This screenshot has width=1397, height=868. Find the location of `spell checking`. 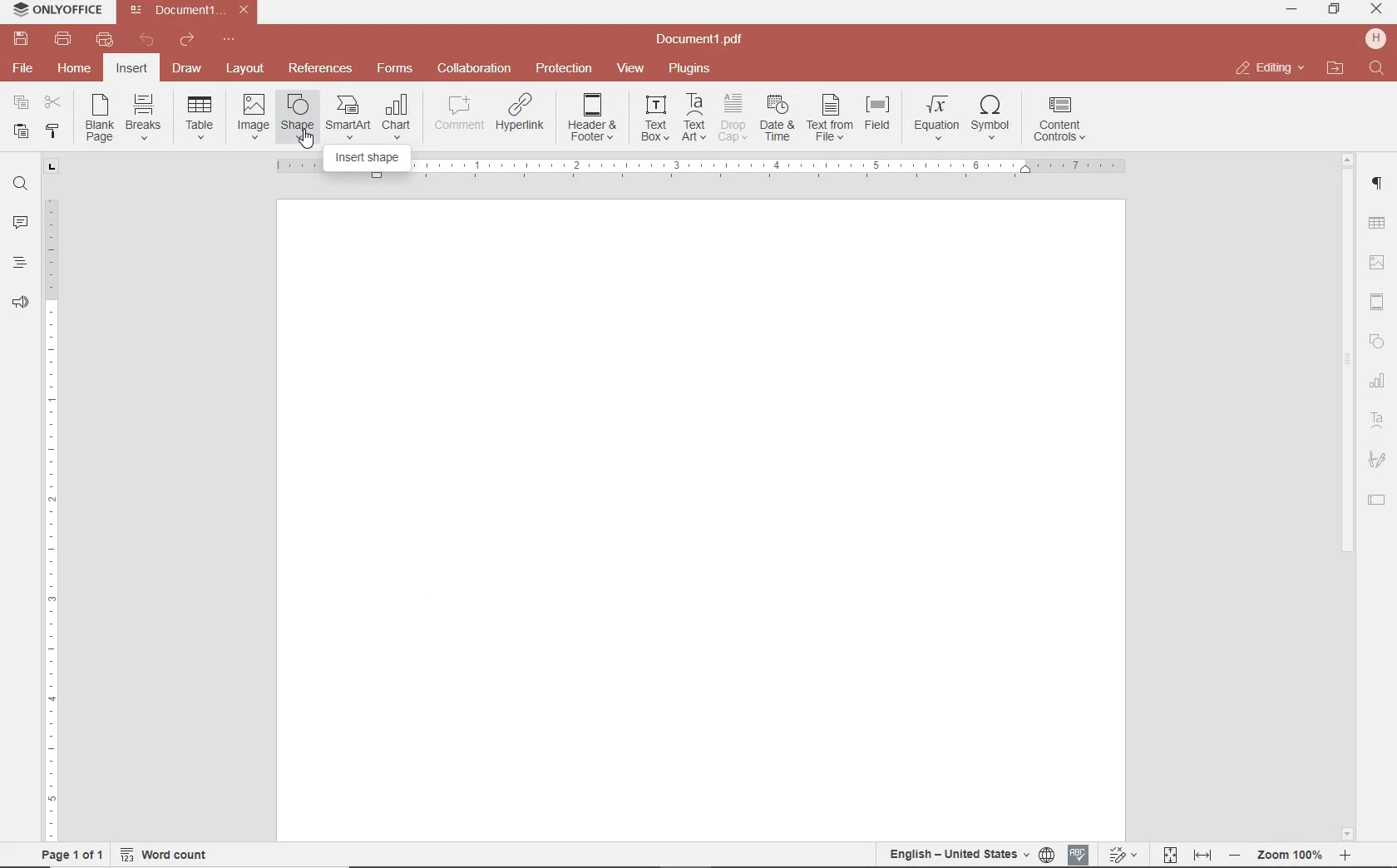

spell checking is located at coordinates (1079, 855).